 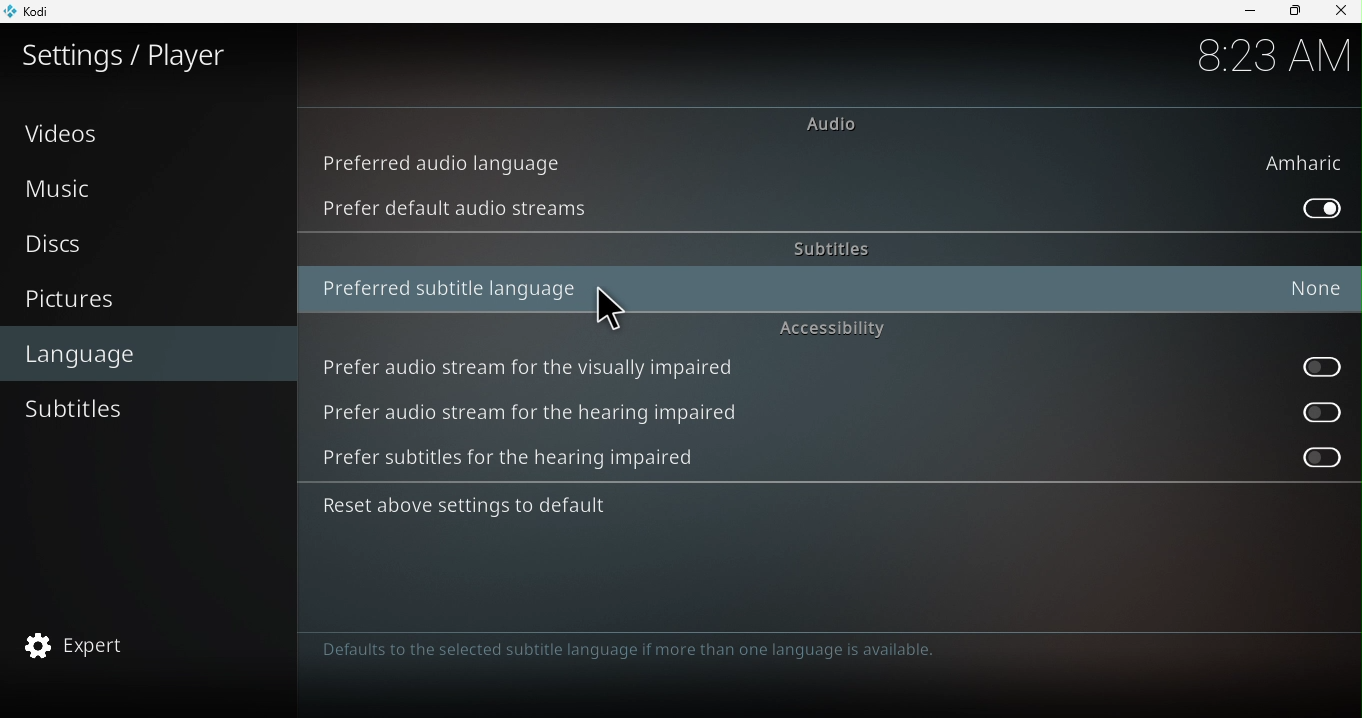 What do you see at coordinates (142, 647) in the screenshot?
I see `Expert` at bounding box center [142, 647].